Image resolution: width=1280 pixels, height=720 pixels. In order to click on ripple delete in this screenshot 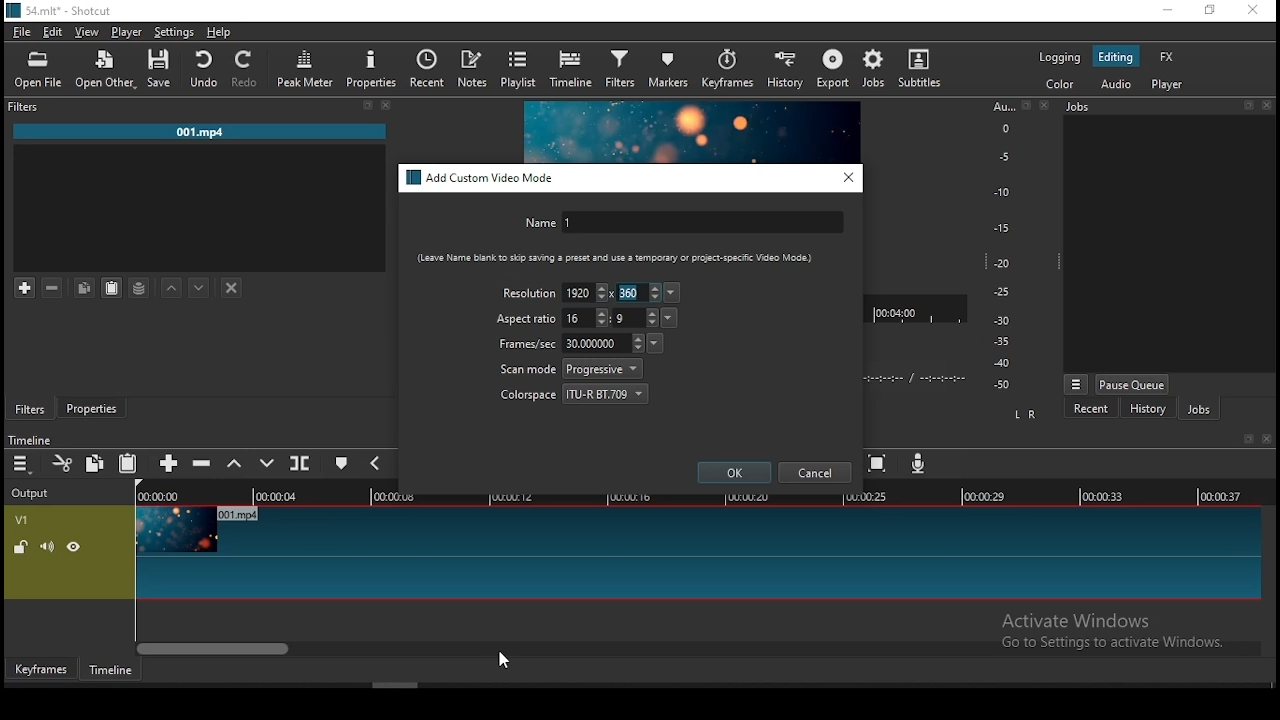, I will do `click(201, 462)`.